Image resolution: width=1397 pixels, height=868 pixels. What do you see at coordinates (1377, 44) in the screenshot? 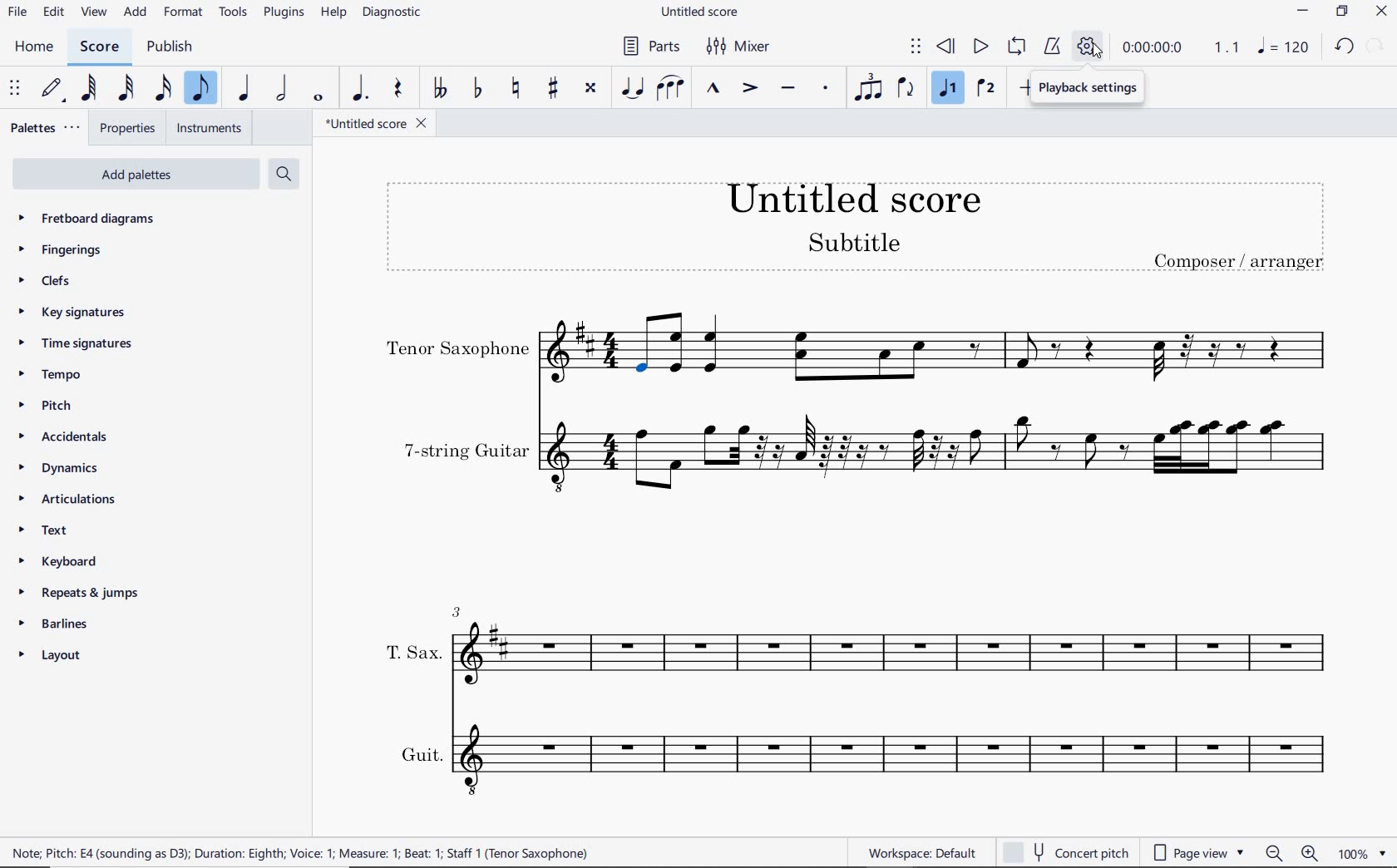
I see `REDO` at bounding box center [1377, 44].